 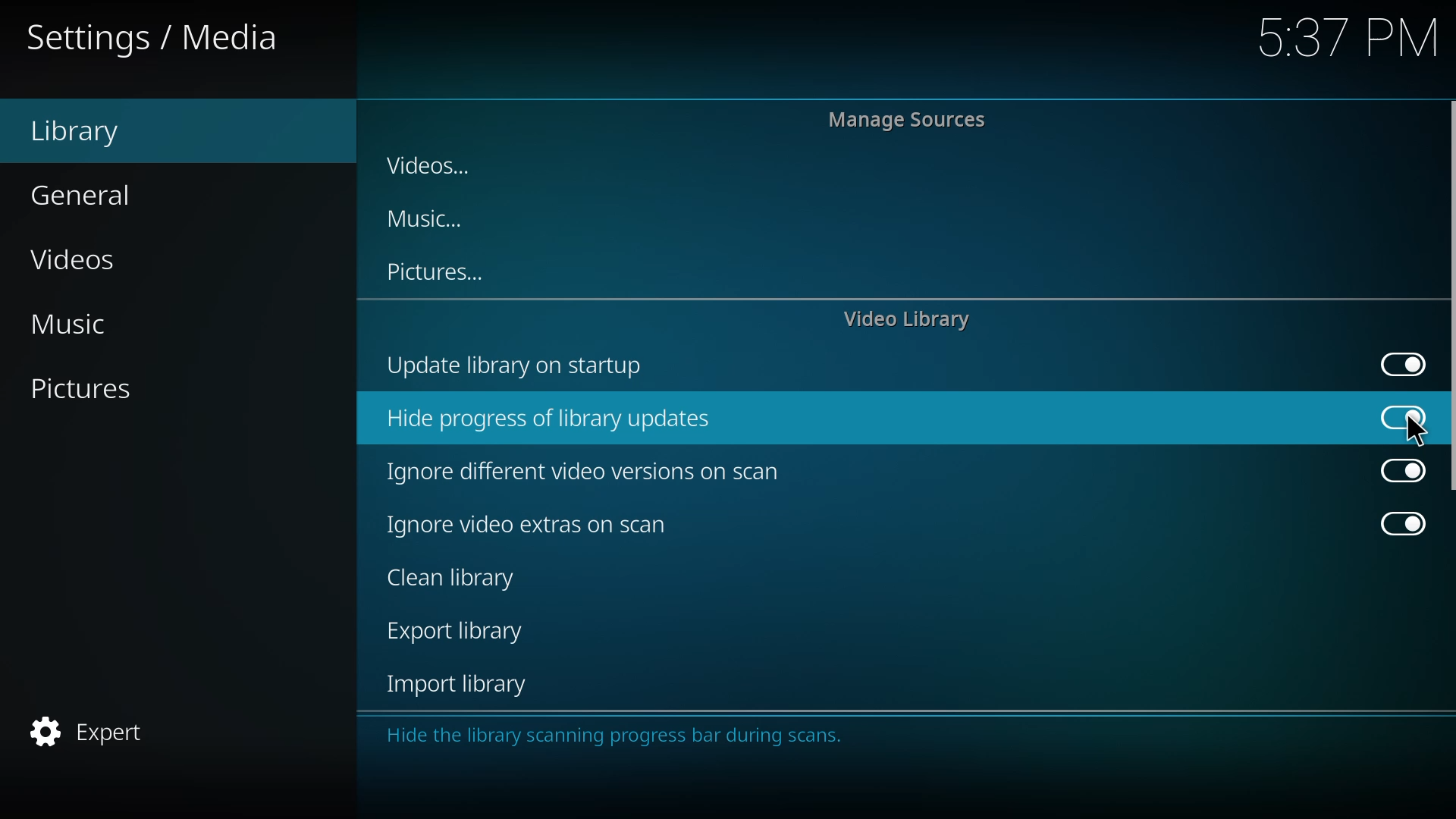 I want to click on clean library, so click(x=455, y=579).